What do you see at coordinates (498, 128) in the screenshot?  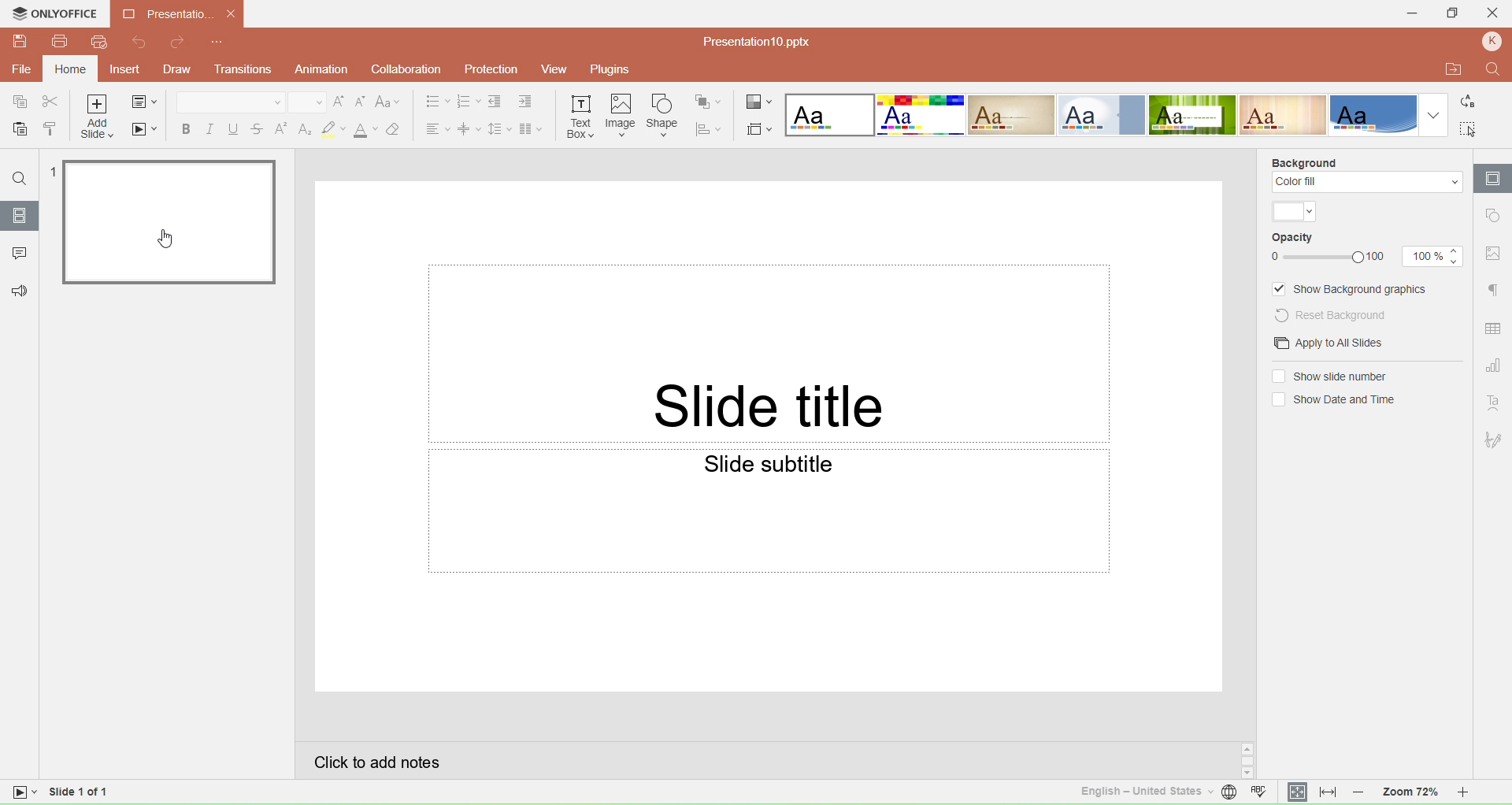 I see `Line spacing` at bounding box center [498, 128].